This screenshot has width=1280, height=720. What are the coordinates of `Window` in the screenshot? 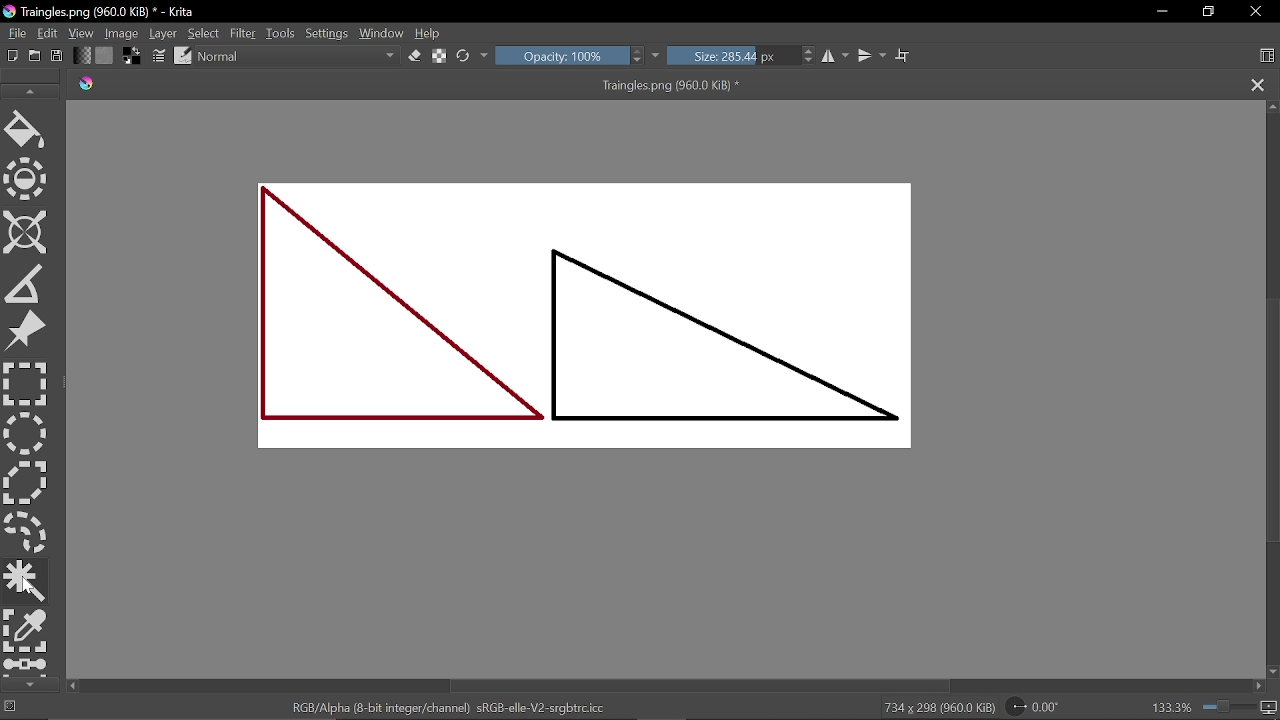 It's located at (383, 31).